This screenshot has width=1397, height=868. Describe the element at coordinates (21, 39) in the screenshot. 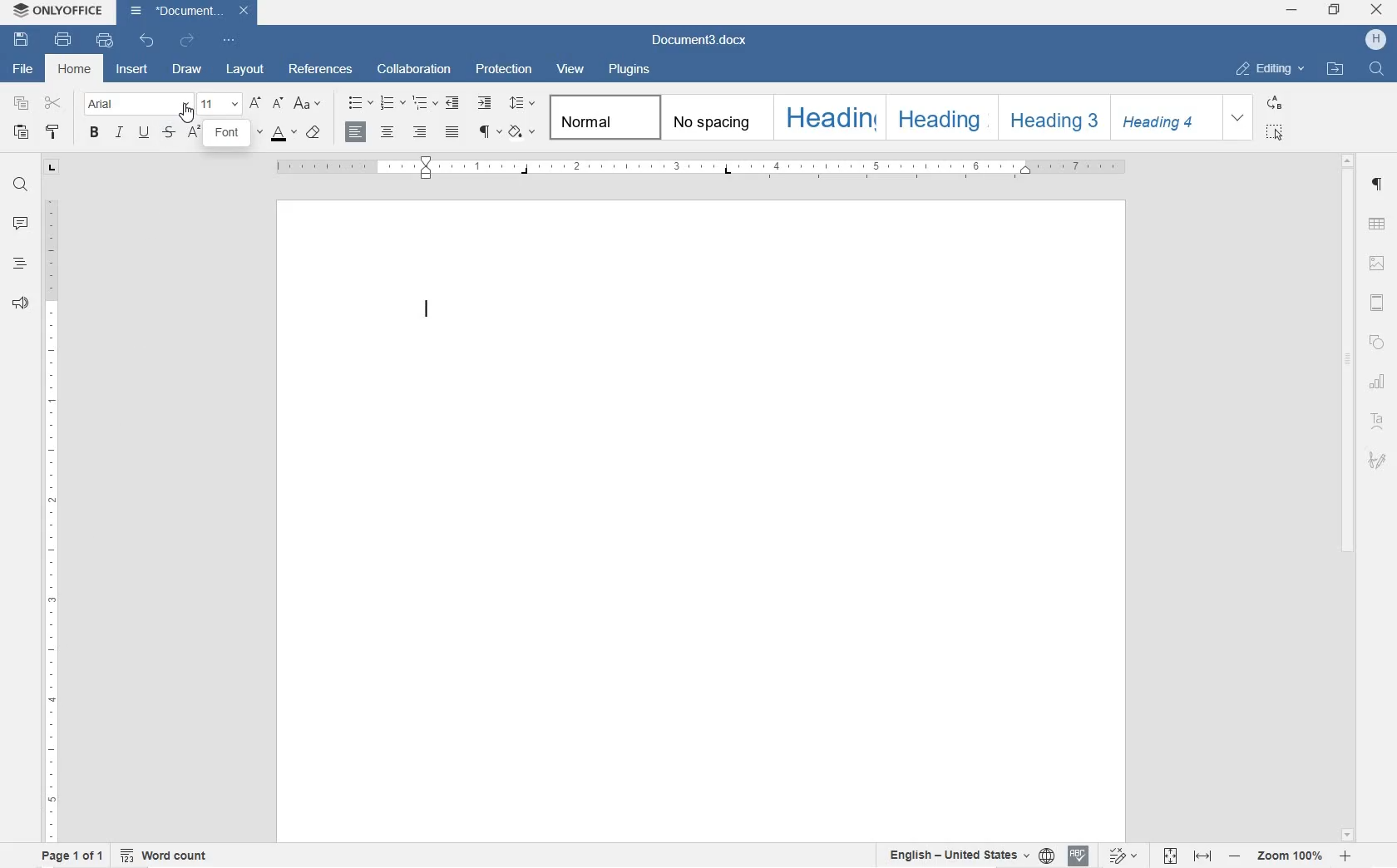

I see `SAVE` at that location.